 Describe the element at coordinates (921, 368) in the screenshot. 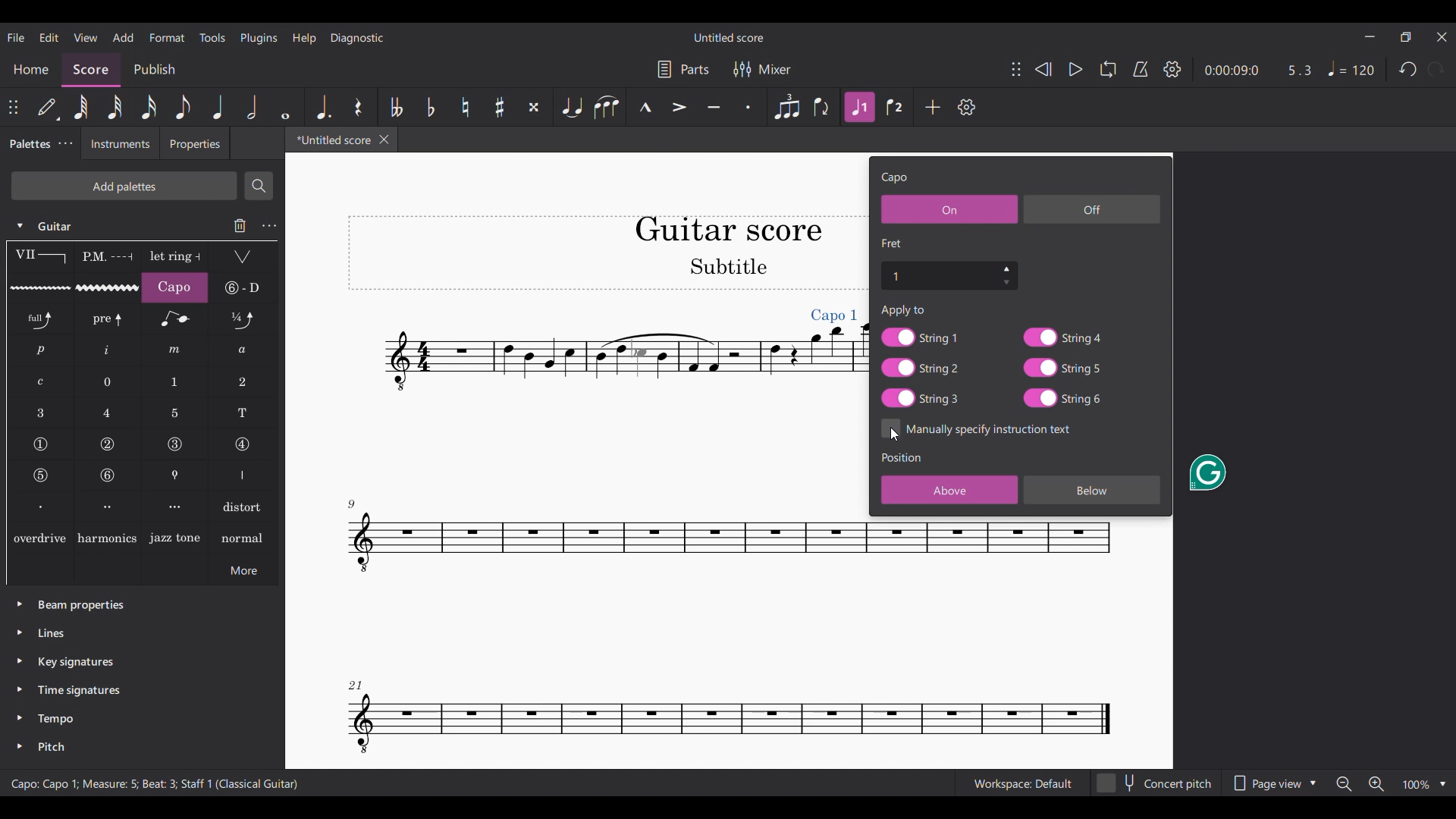

I see `String 2 toggle` at that location.